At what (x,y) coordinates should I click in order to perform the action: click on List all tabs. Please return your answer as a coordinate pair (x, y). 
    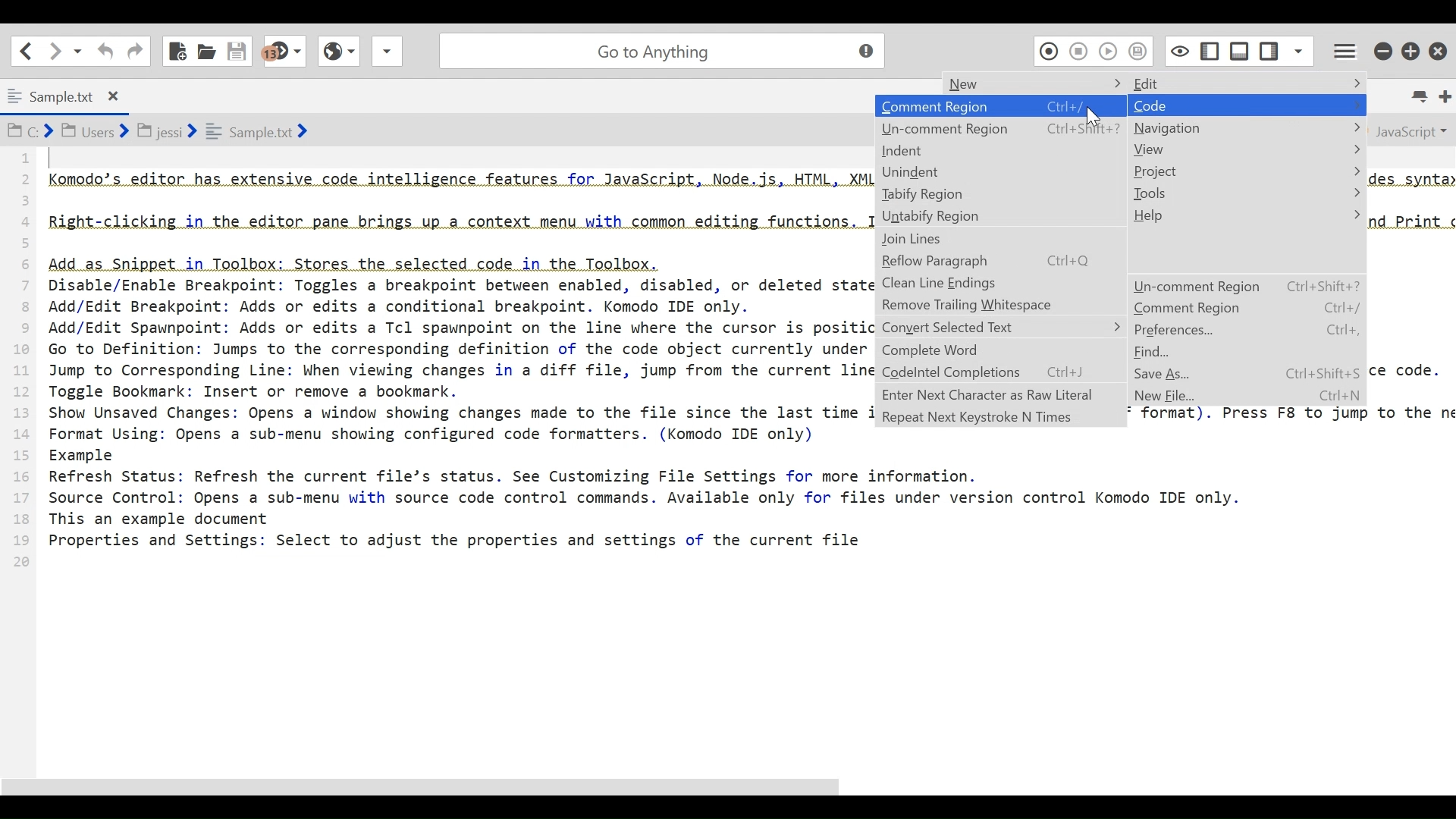
    Looking at the image, I should click on (1423, 96).